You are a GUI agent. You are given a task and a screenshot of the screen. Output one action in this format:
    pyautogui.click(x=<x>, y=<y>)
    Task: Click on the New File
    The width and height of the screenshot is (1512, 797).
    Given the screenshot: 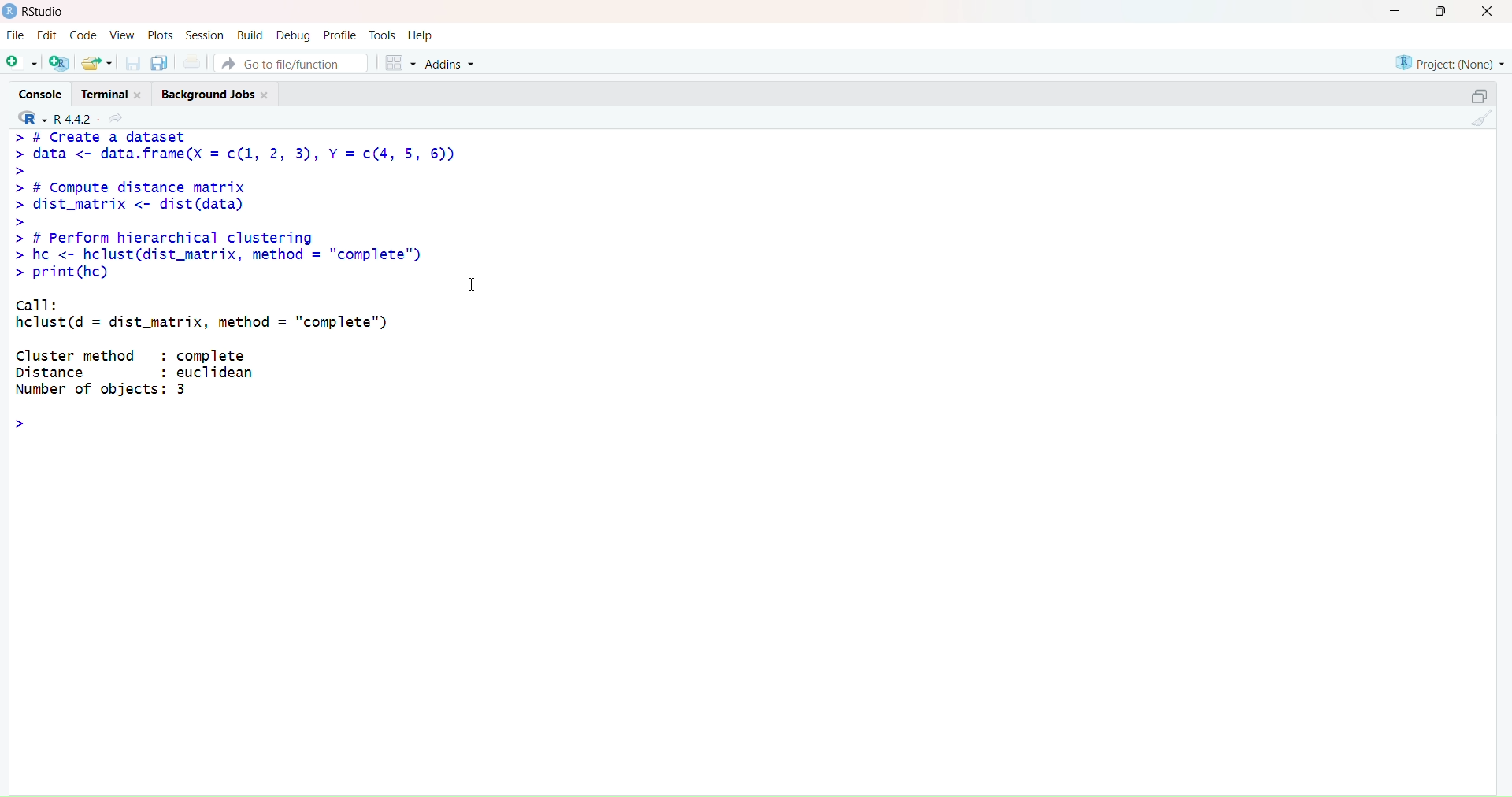 What is the action you would take?
    pyautogui.click(x=21, y=61)
    